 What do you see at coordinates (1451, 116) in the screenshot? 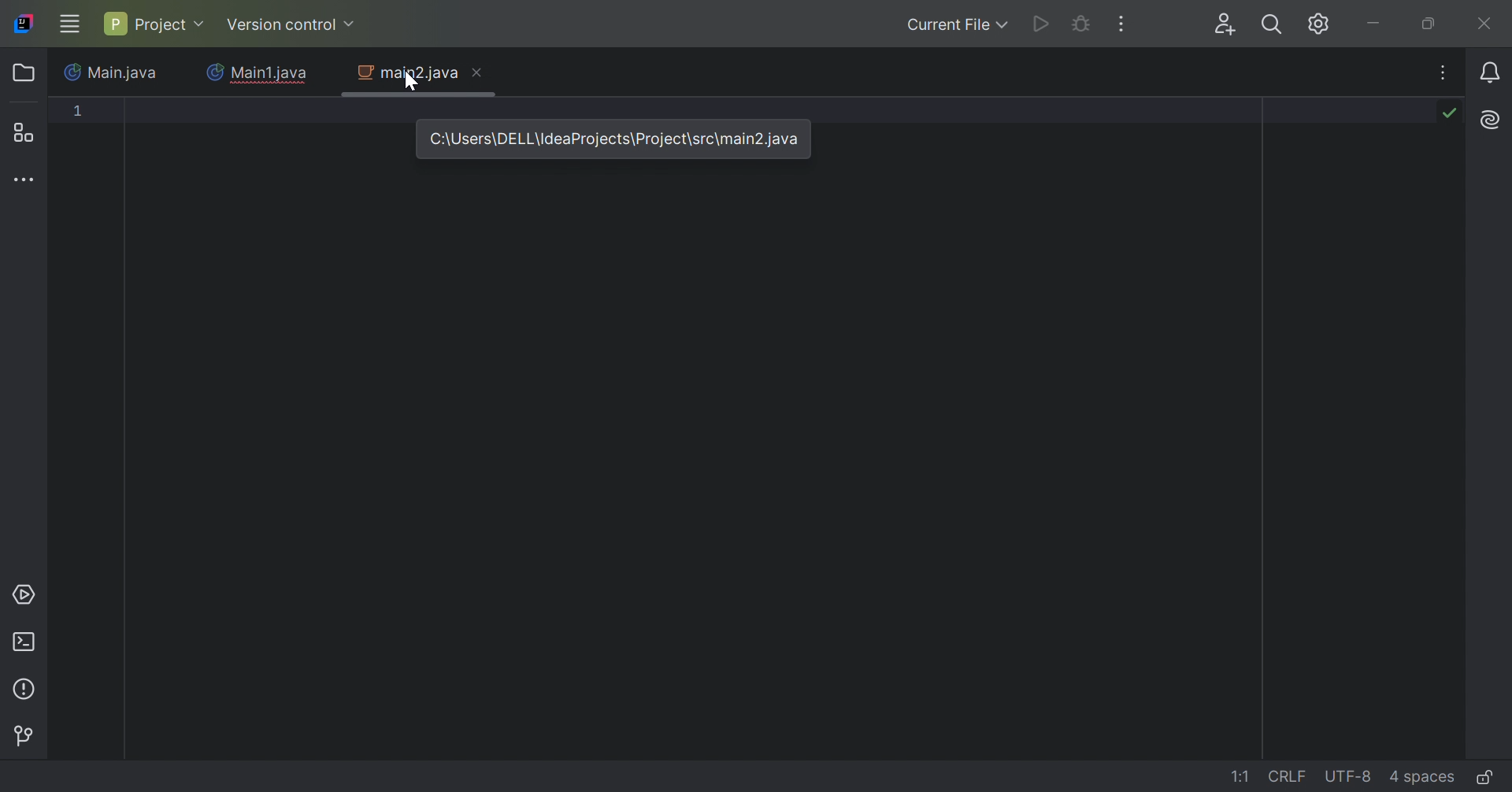
I see `No problems found` at bounding box center [1451, 116].